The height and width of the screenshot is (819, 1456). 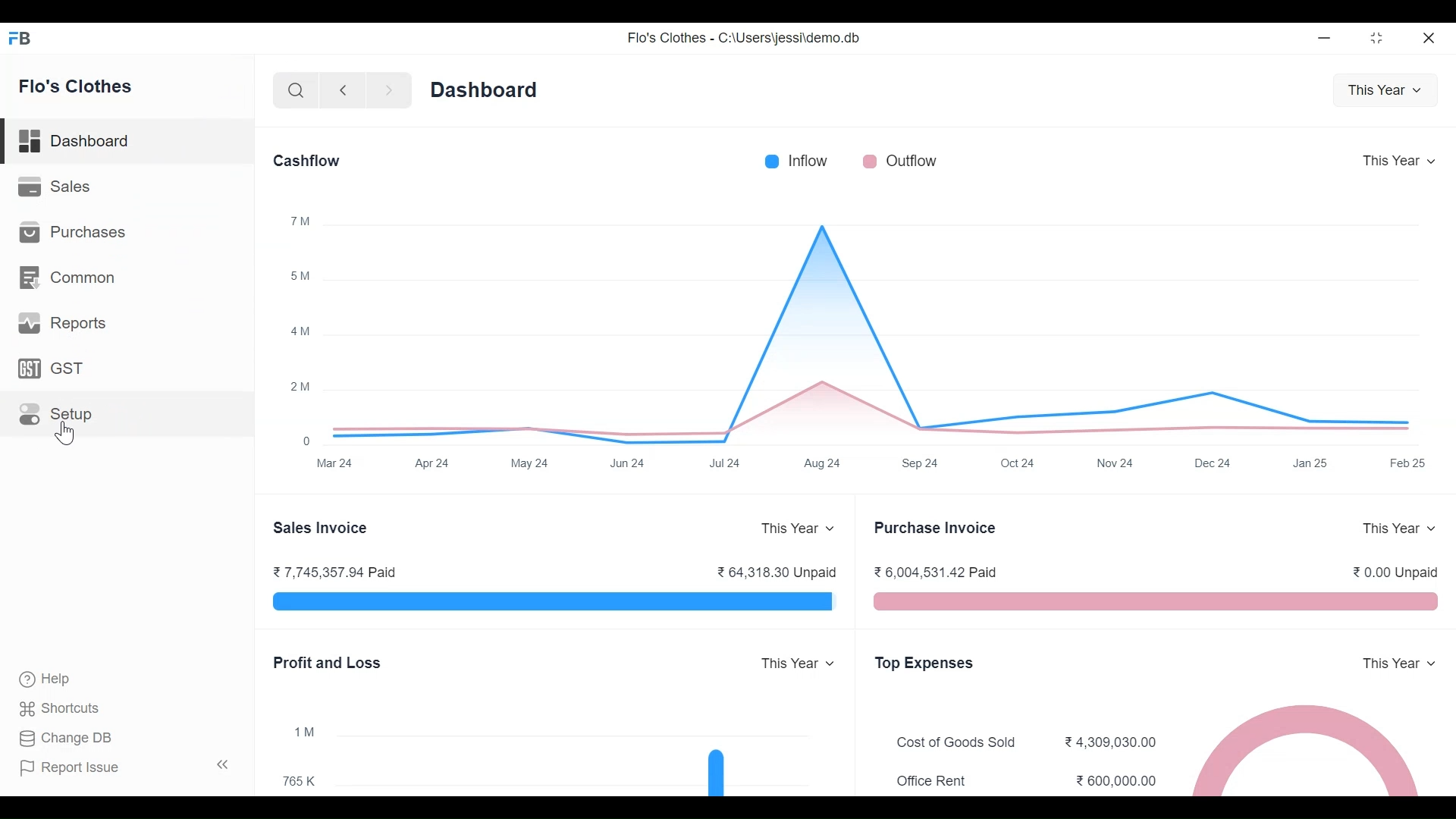 What do you see at coordinates (937, 527) in the screenshot?
I see `Purchase Invoice` at bounding box center [937, 527].